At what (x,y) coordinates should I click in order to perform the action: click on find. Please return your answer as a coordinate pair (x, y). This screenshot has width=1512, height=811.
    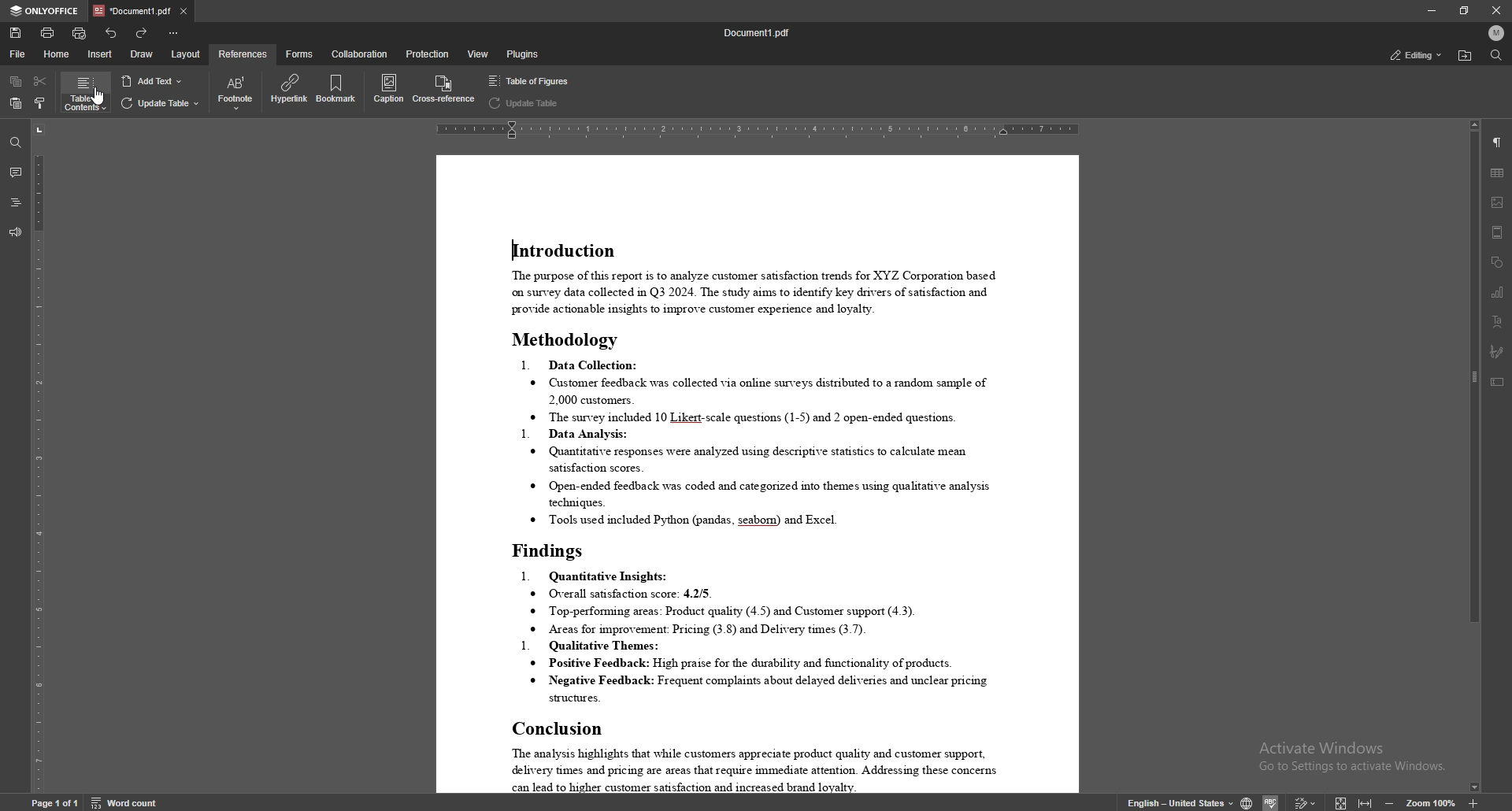
    Looking at the image, I should click on (1496, 55).